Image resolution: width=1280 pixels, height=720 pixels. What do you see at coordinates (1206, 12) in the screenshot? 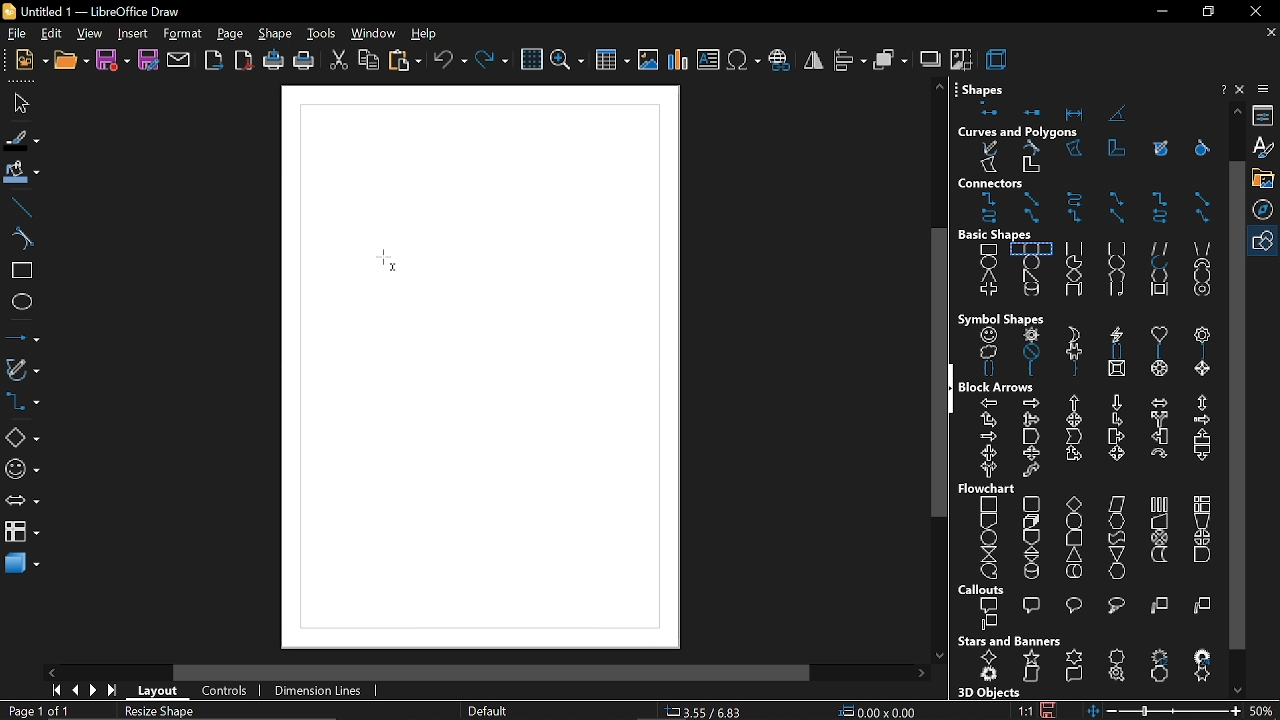
I see `restore down` at bounding box center [1206, 12].